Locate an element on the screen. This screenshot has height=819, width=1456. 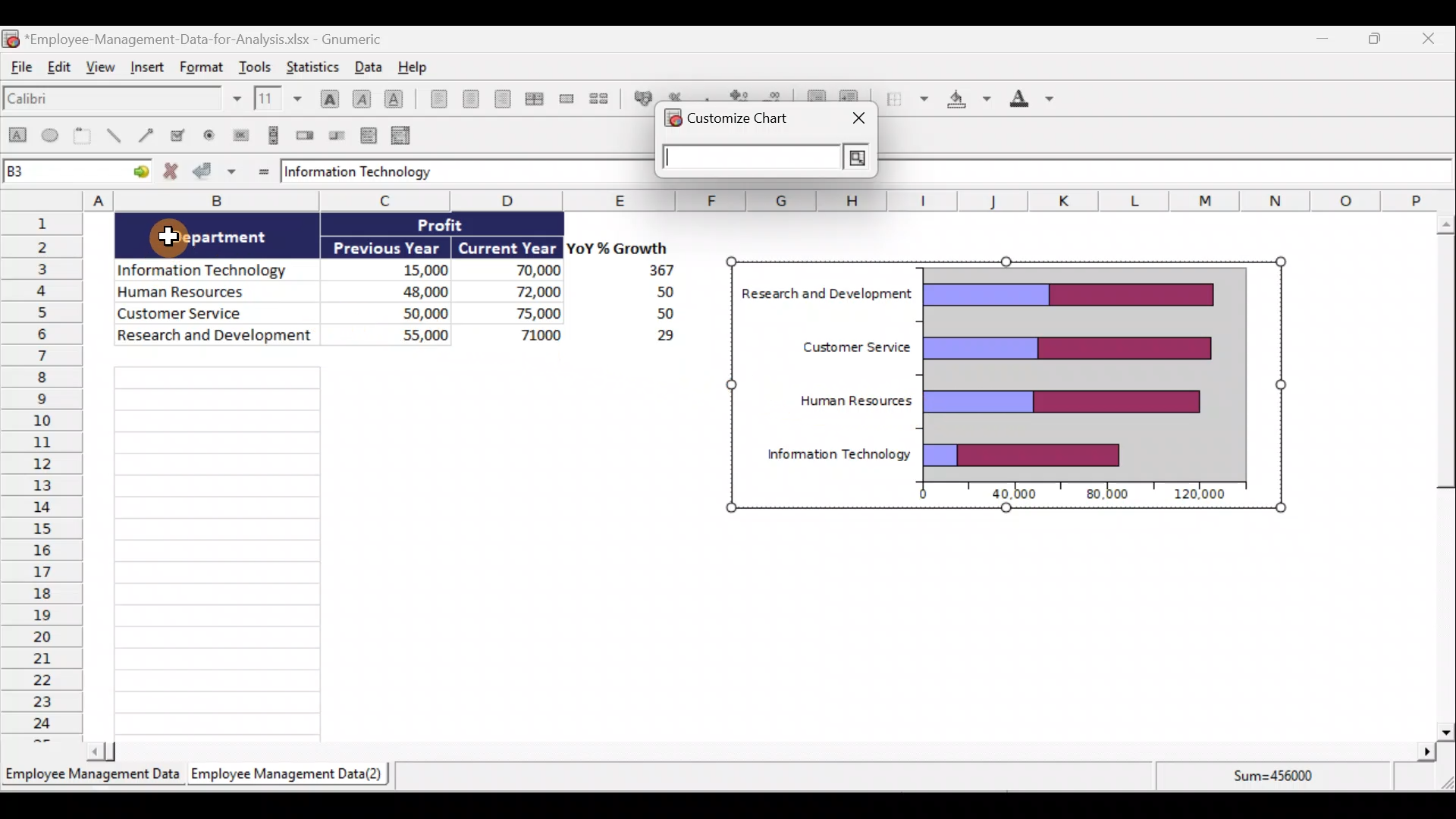
Statistics is located at coordinates (317, 66).